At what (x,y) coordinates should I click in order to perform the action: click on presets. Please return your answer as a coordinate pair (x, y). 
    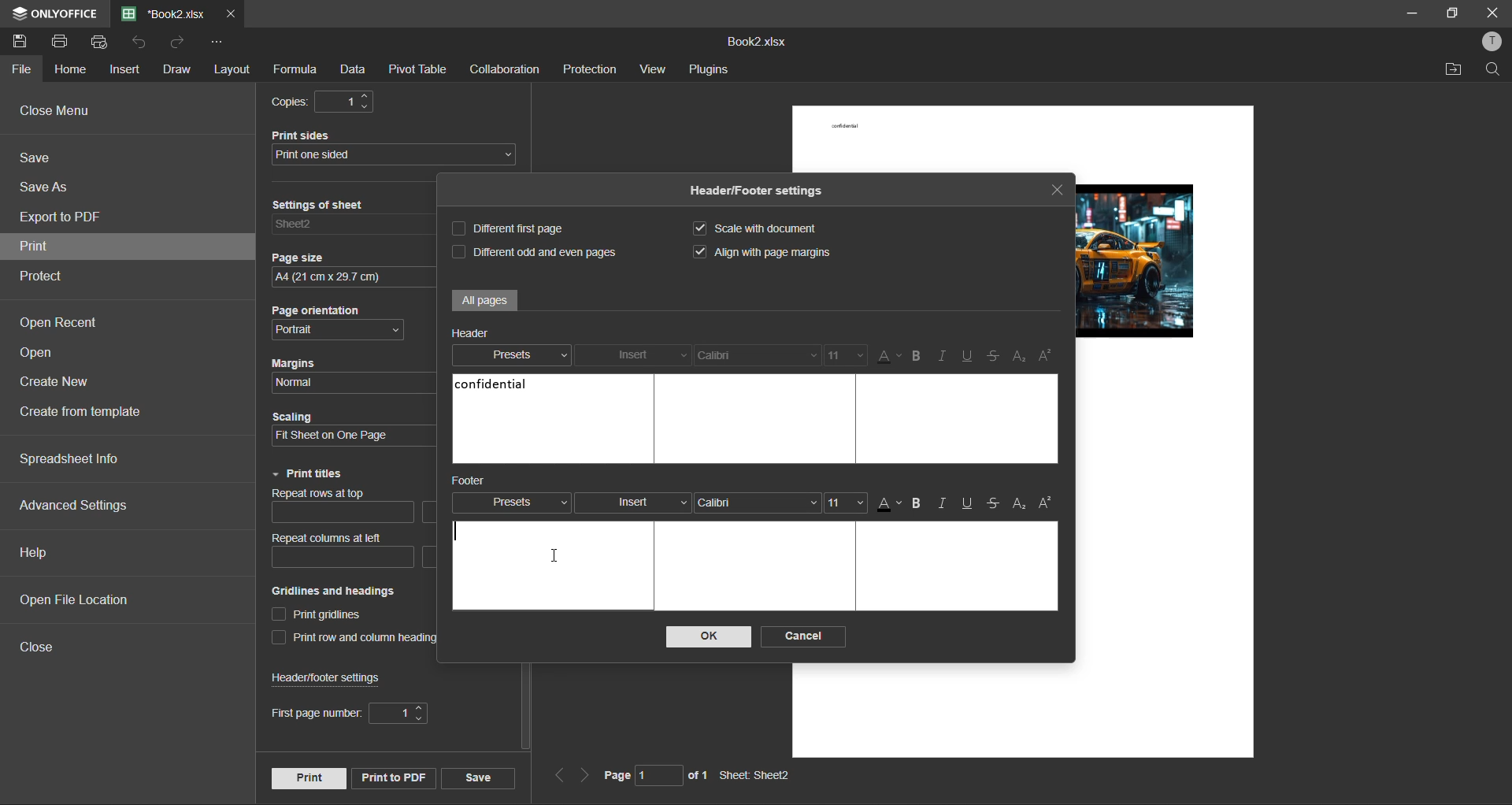
    Looking at the image, I should click on (510, 357).